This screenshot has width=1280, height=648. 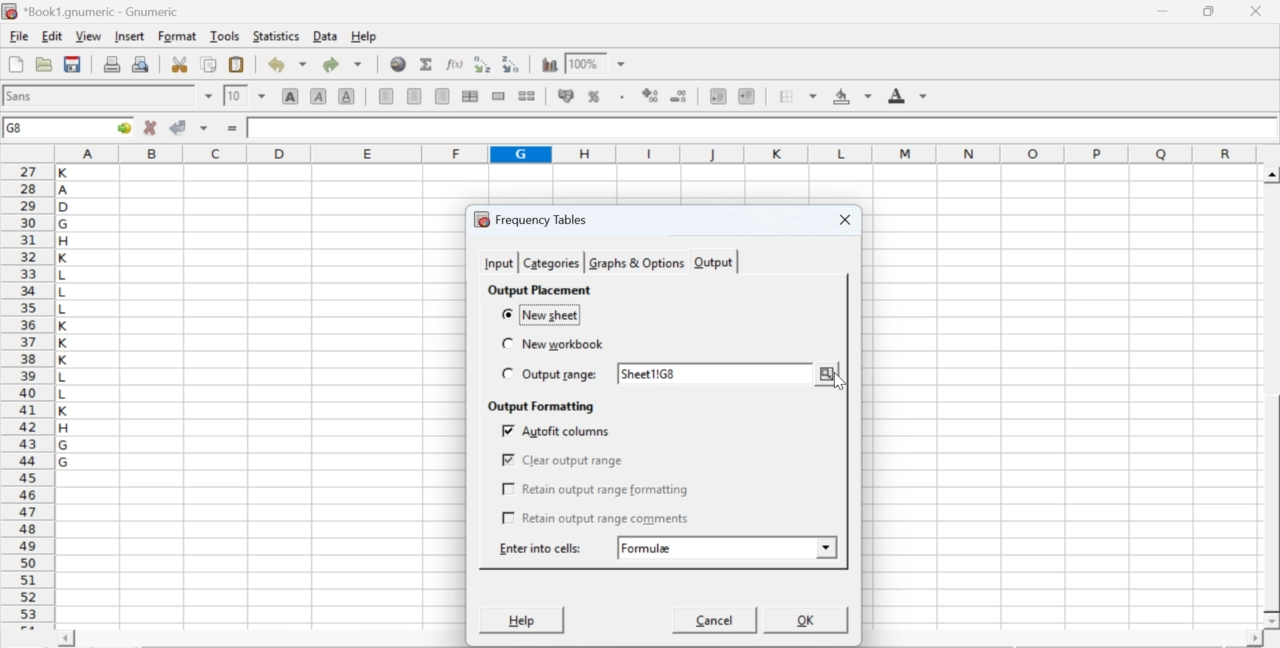 What do you see at coordinates (141, 63) in the screenshot?
I see `print preview` at bounding box center [141, 63].